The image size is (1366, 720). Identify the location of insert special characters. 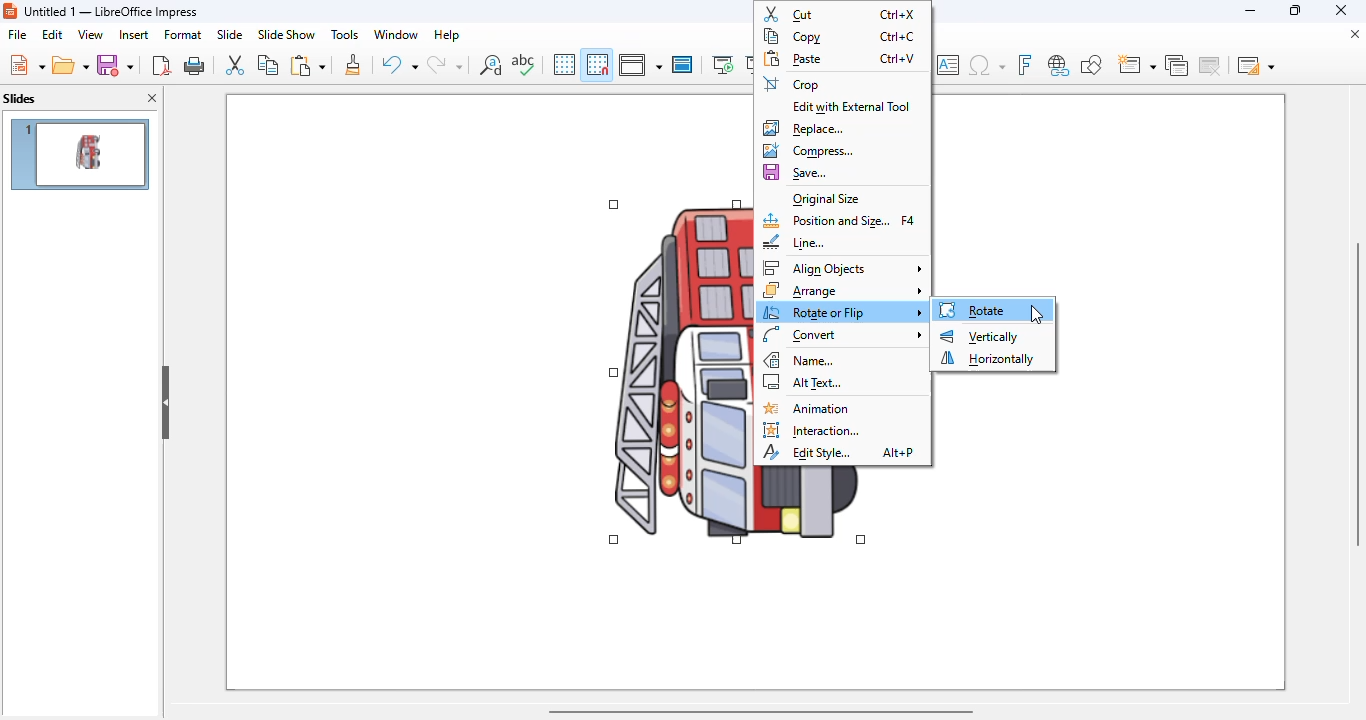
(987, 65).